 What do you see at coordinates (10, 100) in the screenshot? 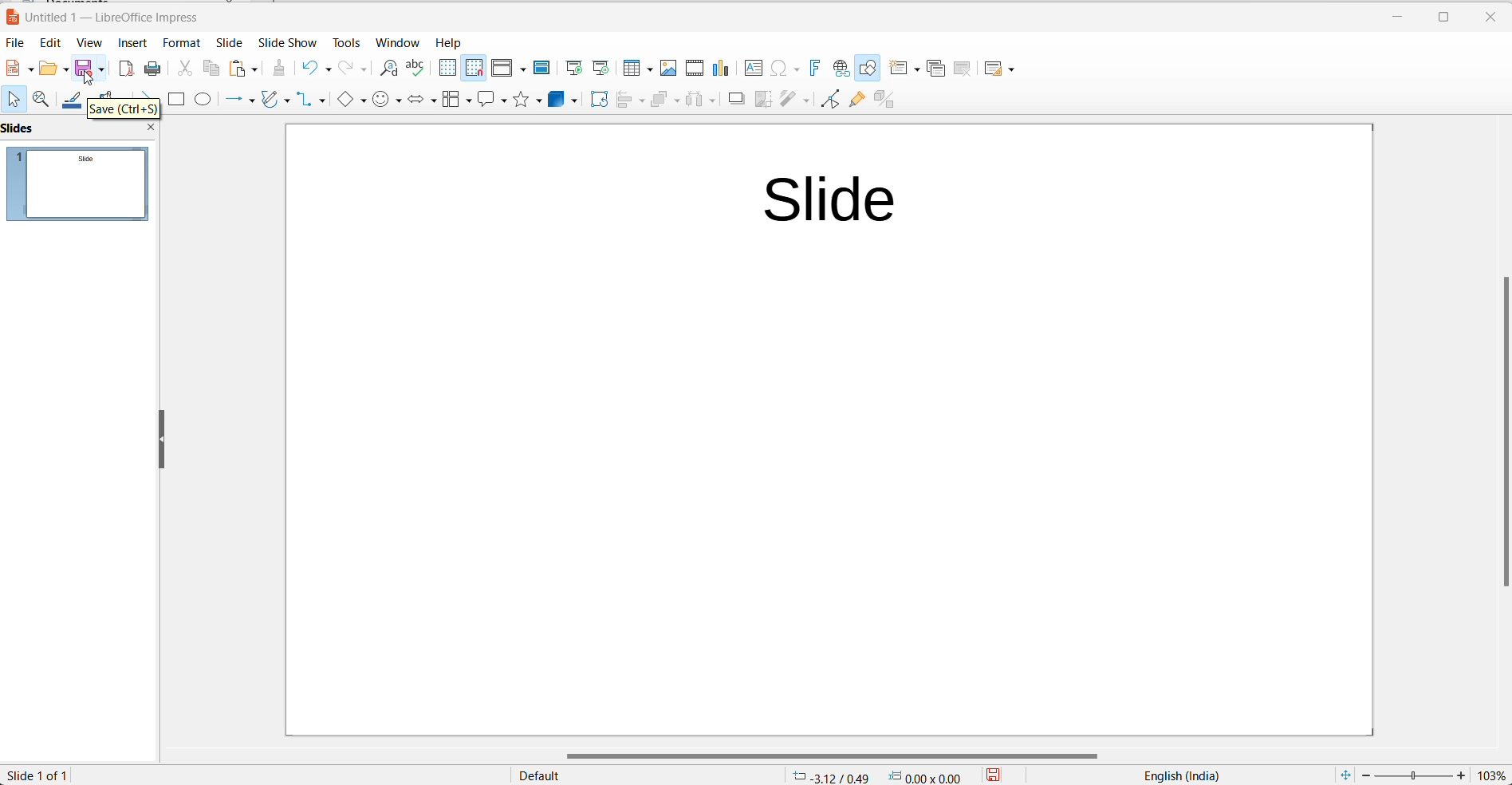
I see `select` at bounding box center [10, 100].